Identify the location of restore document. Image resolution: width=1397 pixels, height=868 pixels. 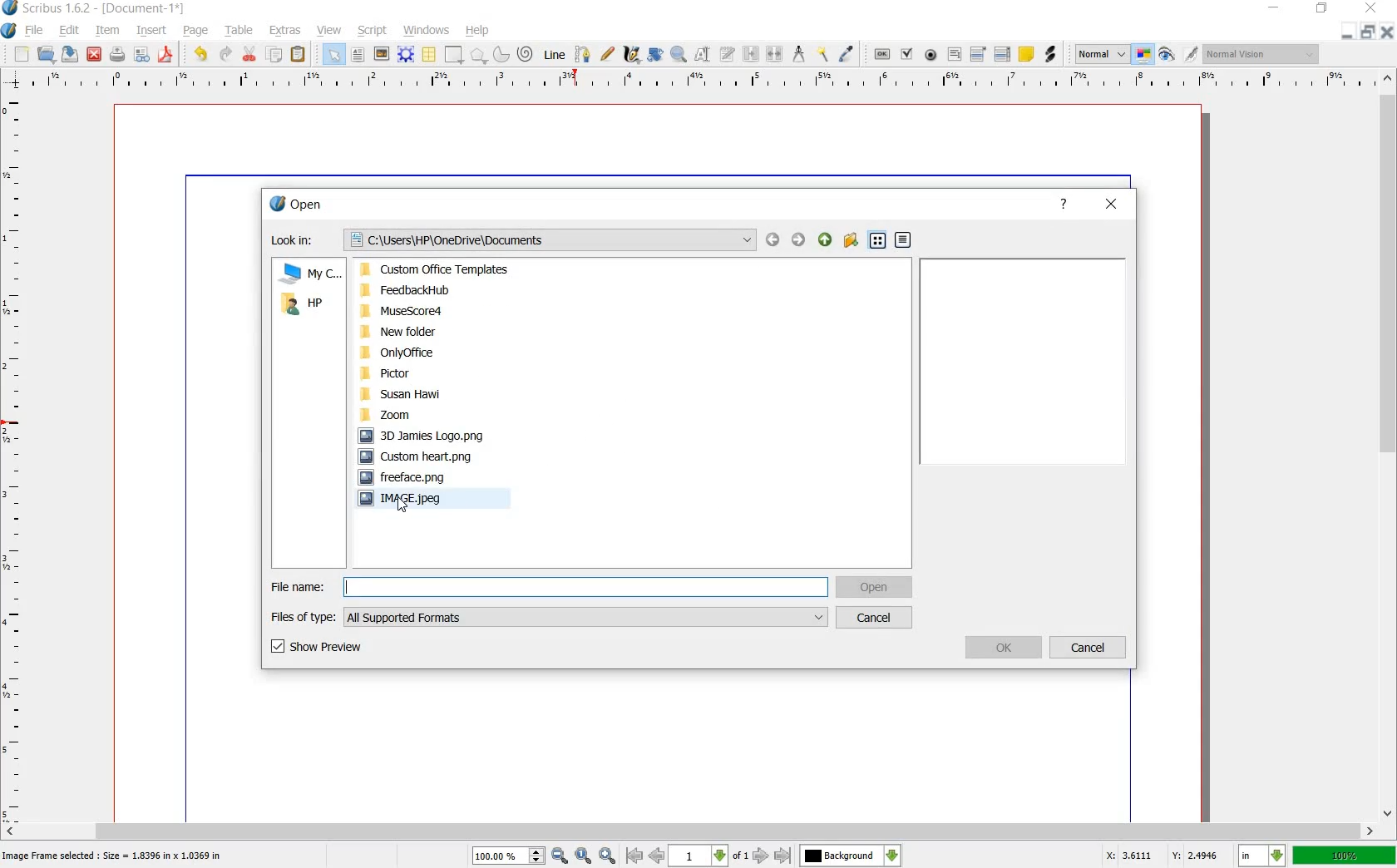
(1369, 31).